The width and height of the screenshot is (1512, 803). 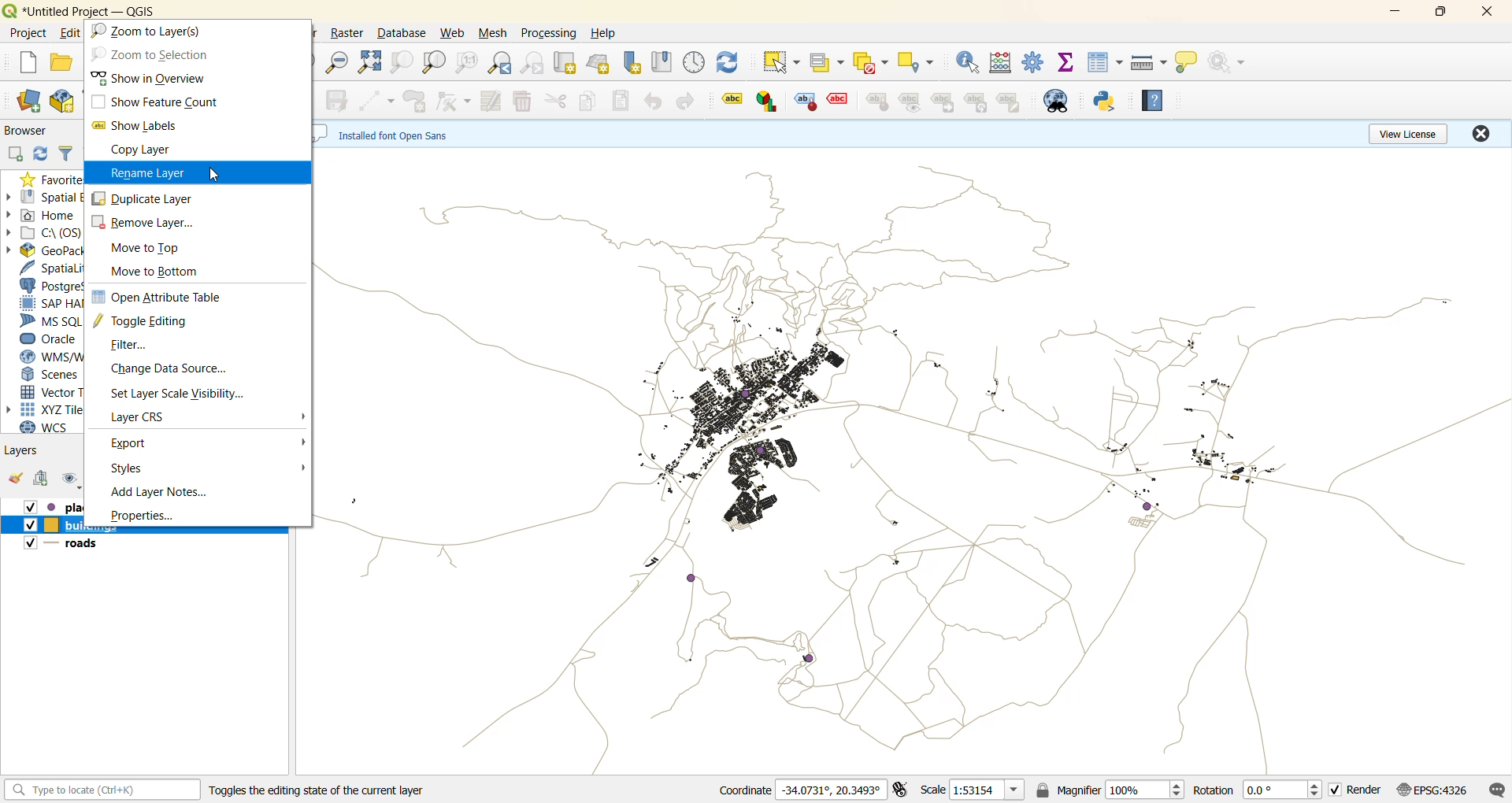 I want to click on layers, so click(x=28, y=451).